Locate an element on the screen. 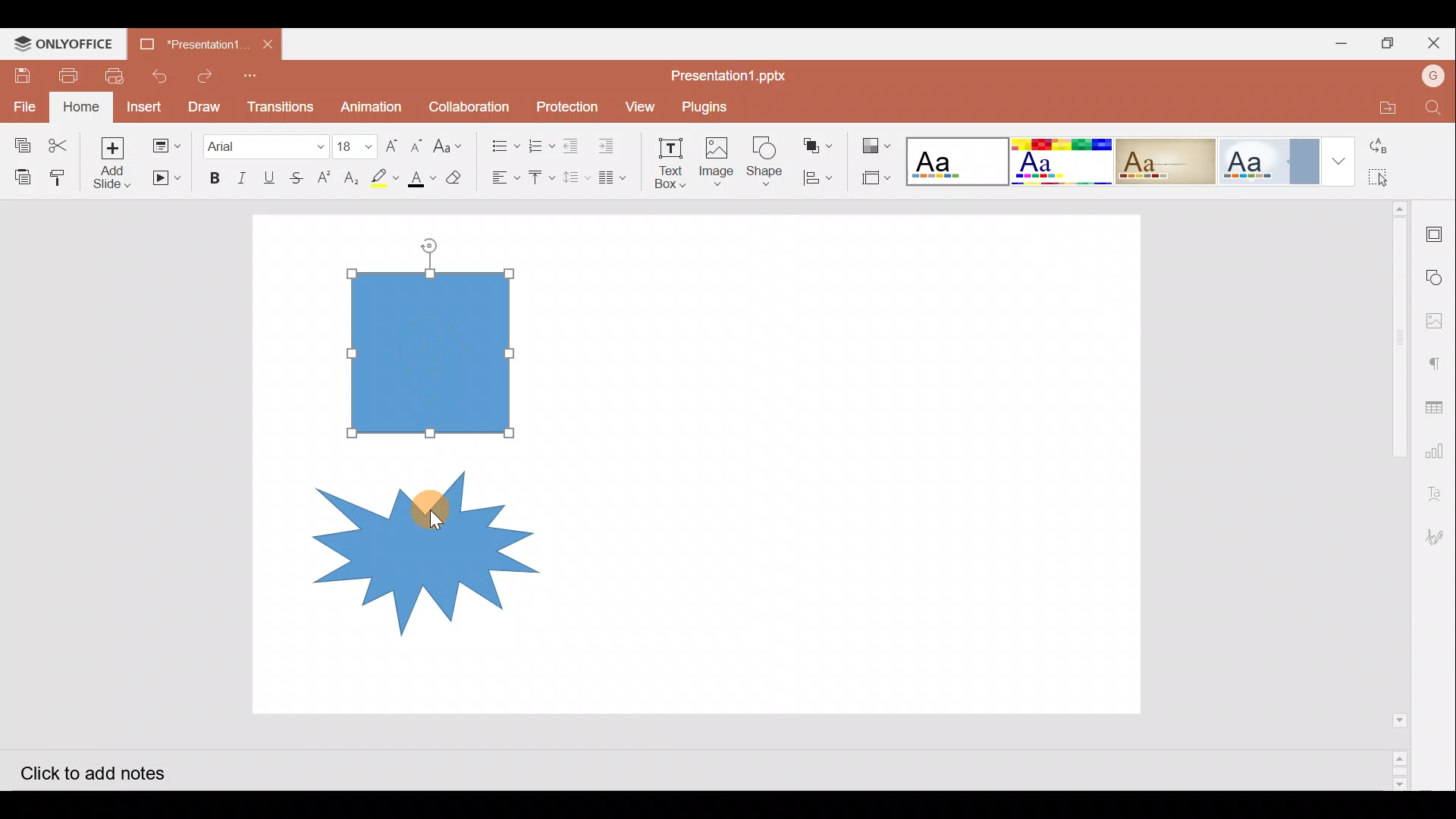 This screenshot has height=819, width=1456. Change slide layout is located at coordinates (166, 144).